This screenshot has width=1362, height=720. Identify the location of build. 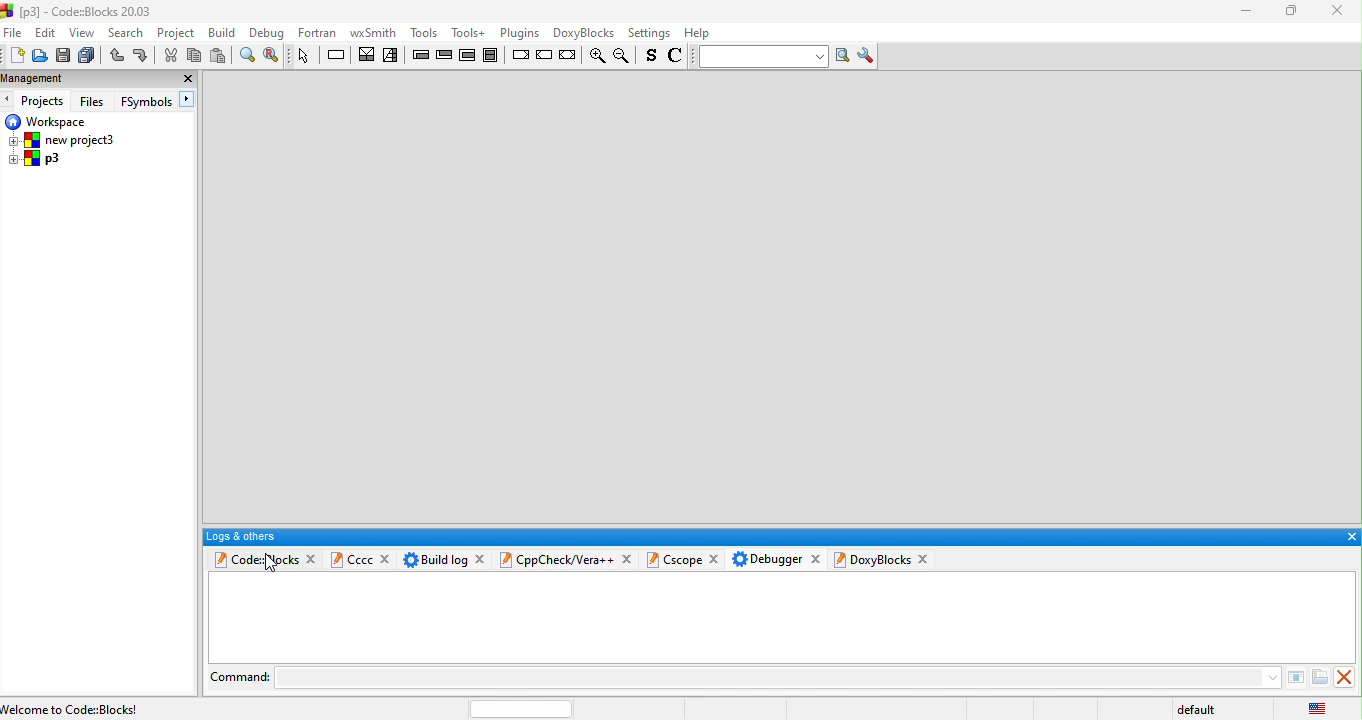
(223, 32).